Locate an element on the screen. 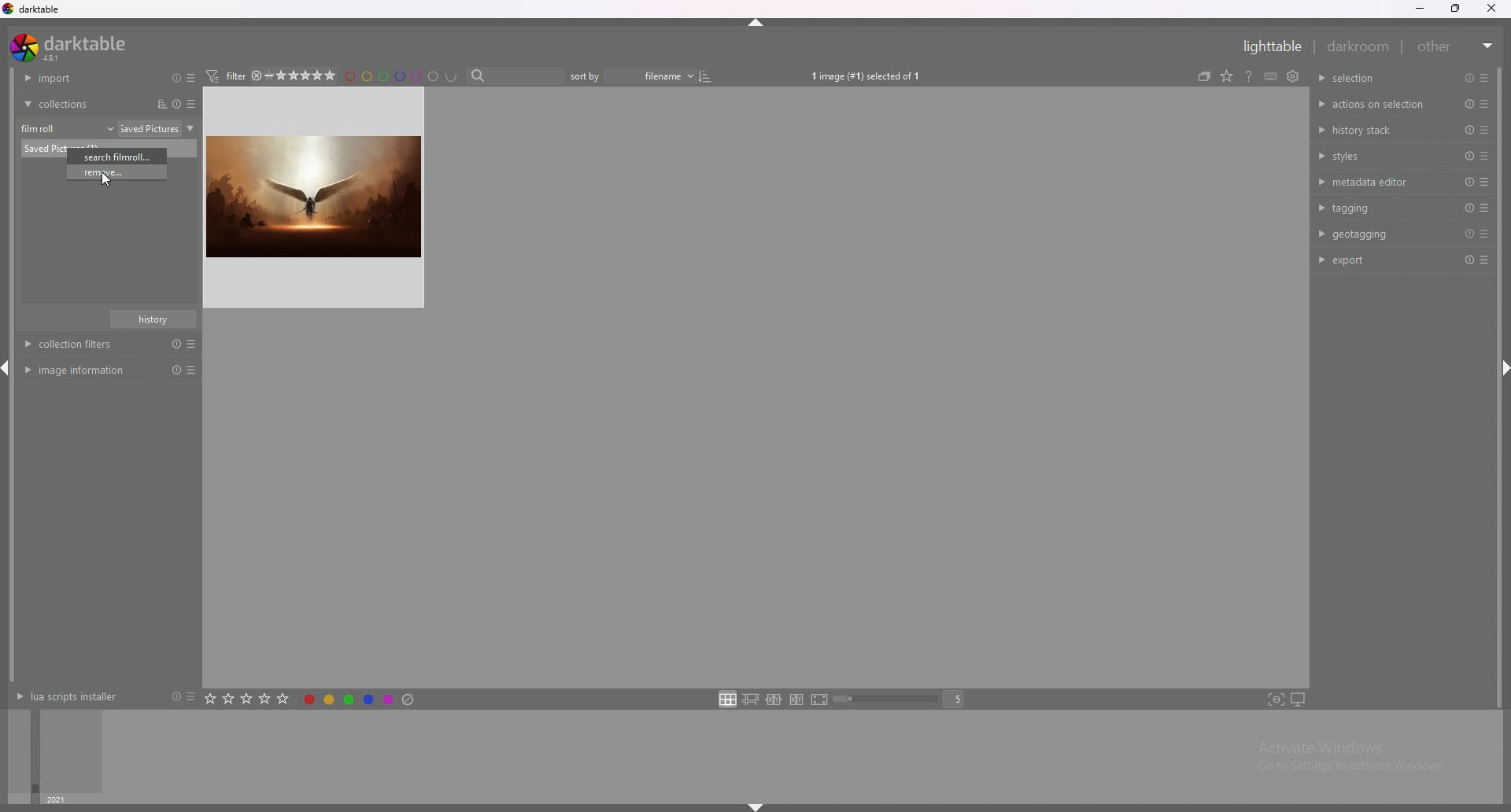 The height and width of the screenshot is (812, 1511). reset is located at coordinates (1470, 105).